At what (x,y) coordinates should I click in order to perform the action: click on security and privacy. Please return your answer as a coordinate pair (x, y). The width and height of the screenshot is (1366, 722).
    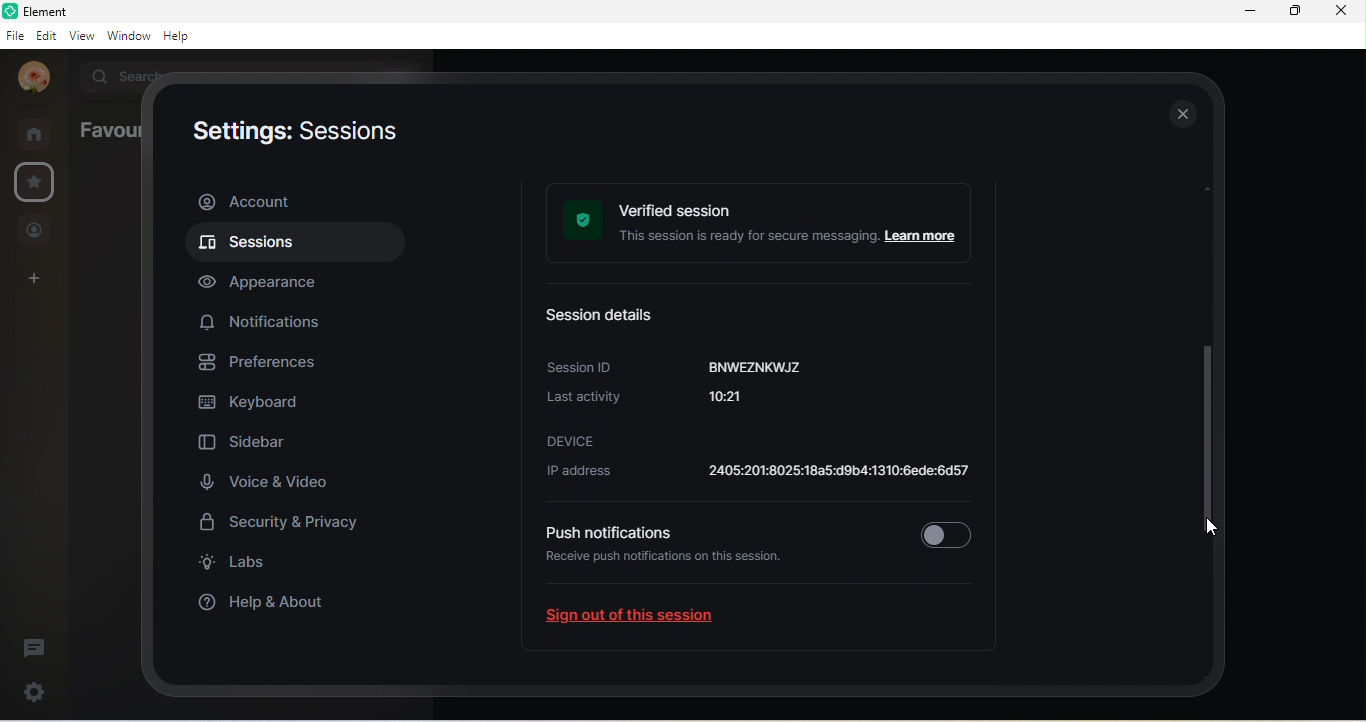
    Looking at the image, I should click on (290, 525).